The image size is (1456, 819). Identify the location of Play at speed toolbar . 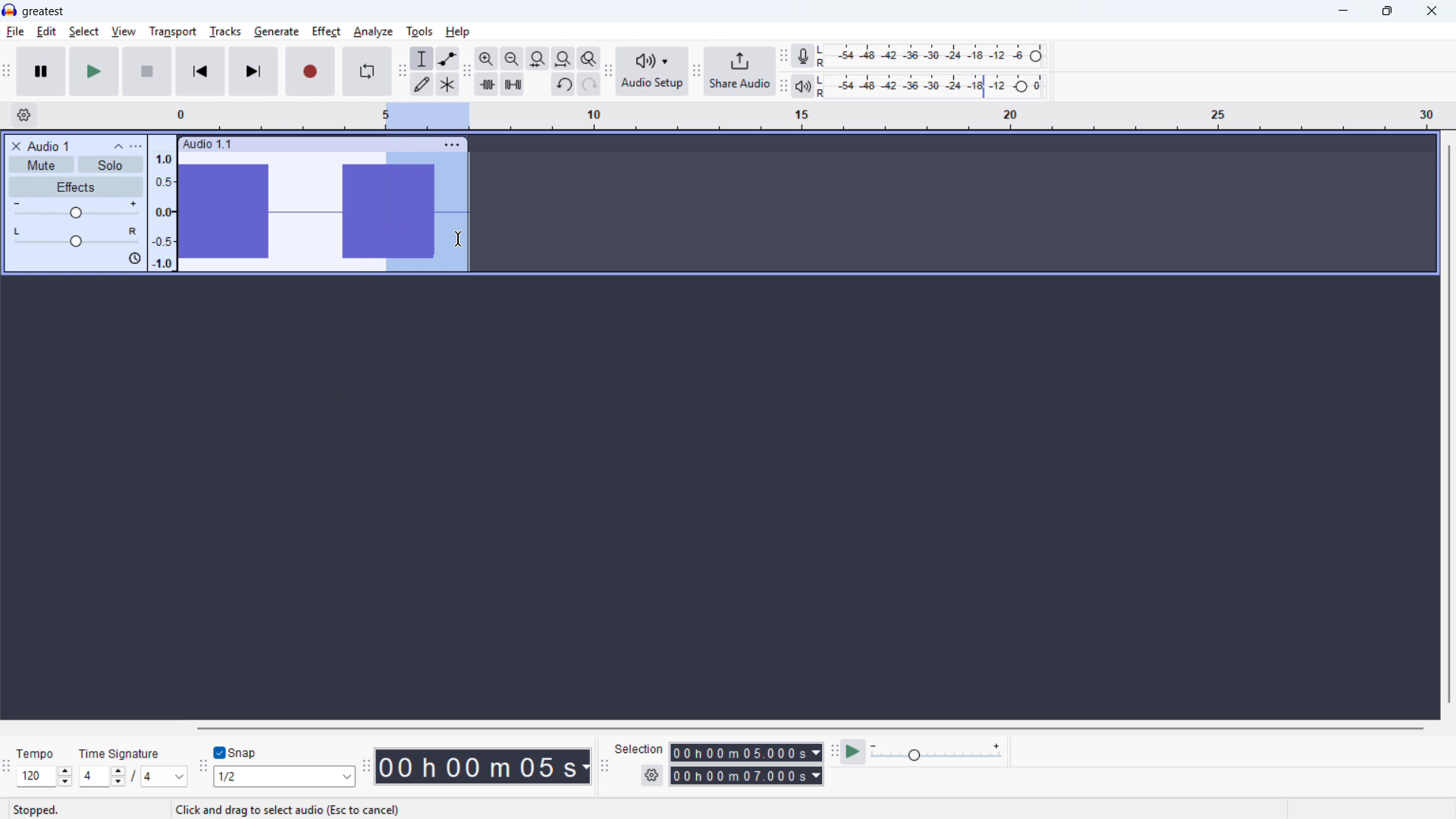
(834, 754).